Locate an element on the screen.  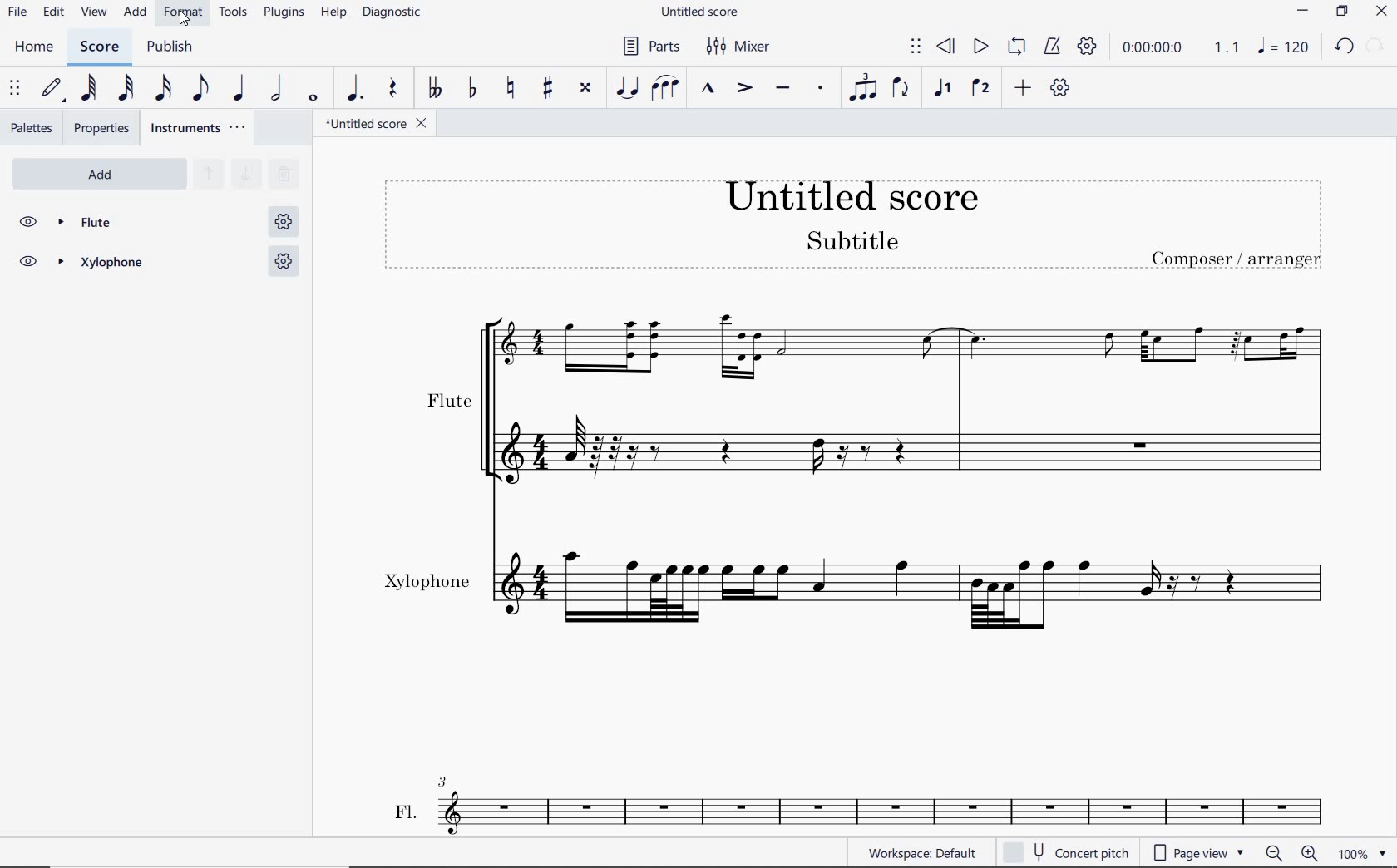
STACCATO is located at coordinates (820, 87).